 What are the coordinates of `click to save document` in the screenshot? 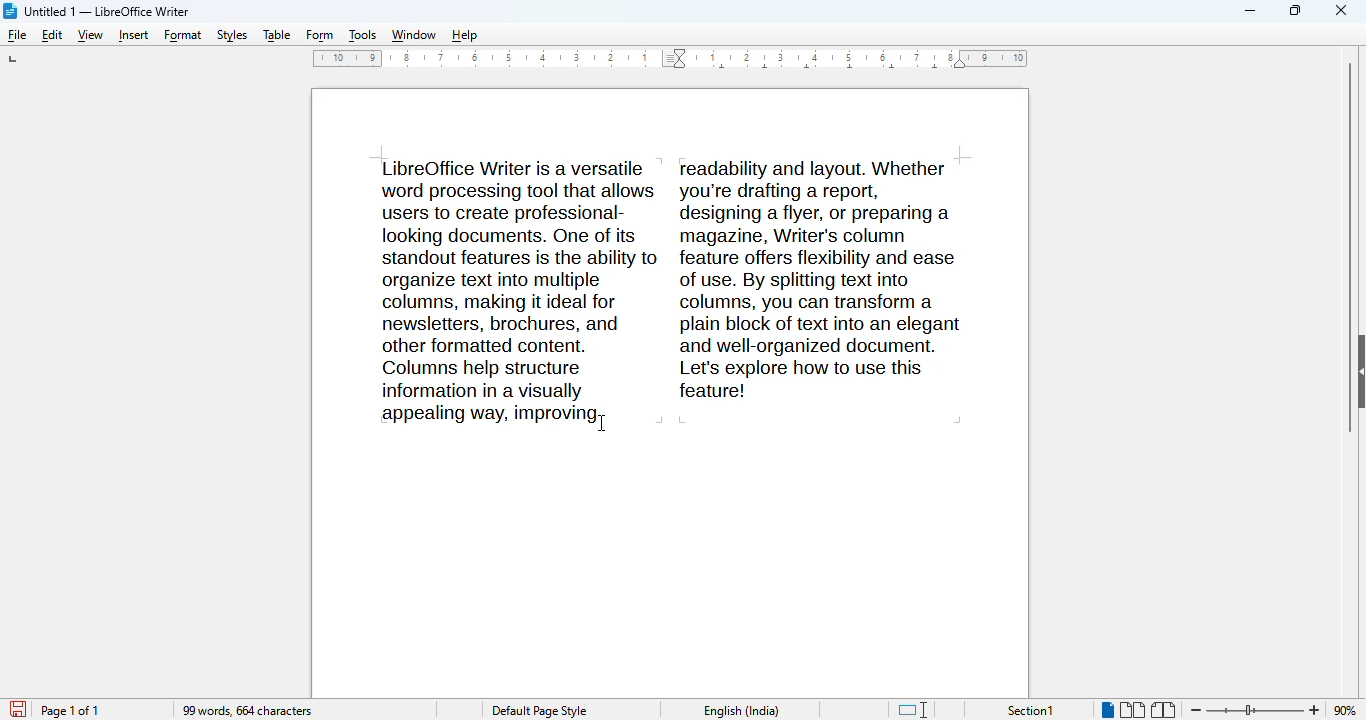 It's located at (18, 709).